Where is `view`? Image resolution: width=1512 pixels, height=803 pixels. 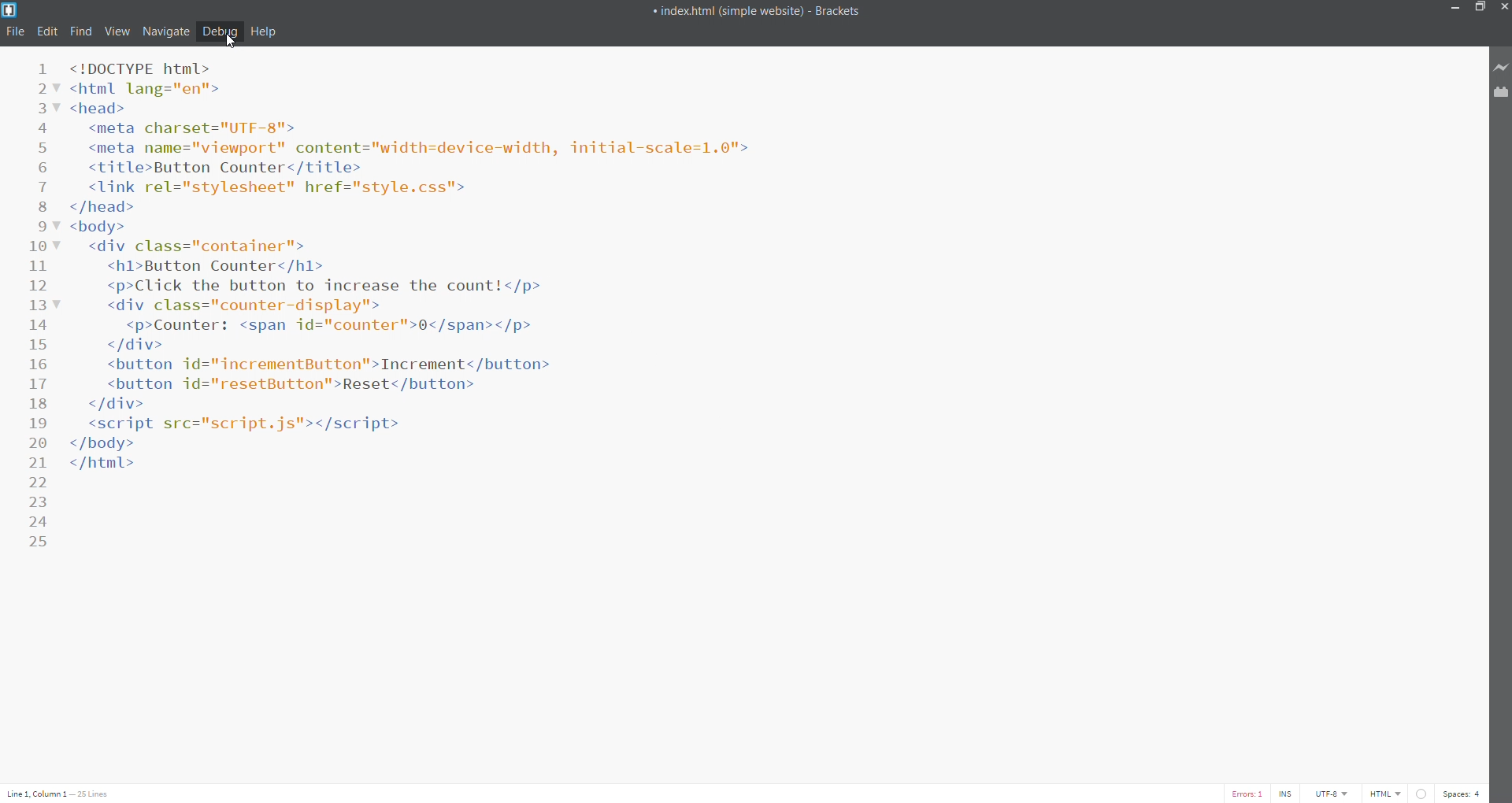 view is located at coordinates (120, 31).